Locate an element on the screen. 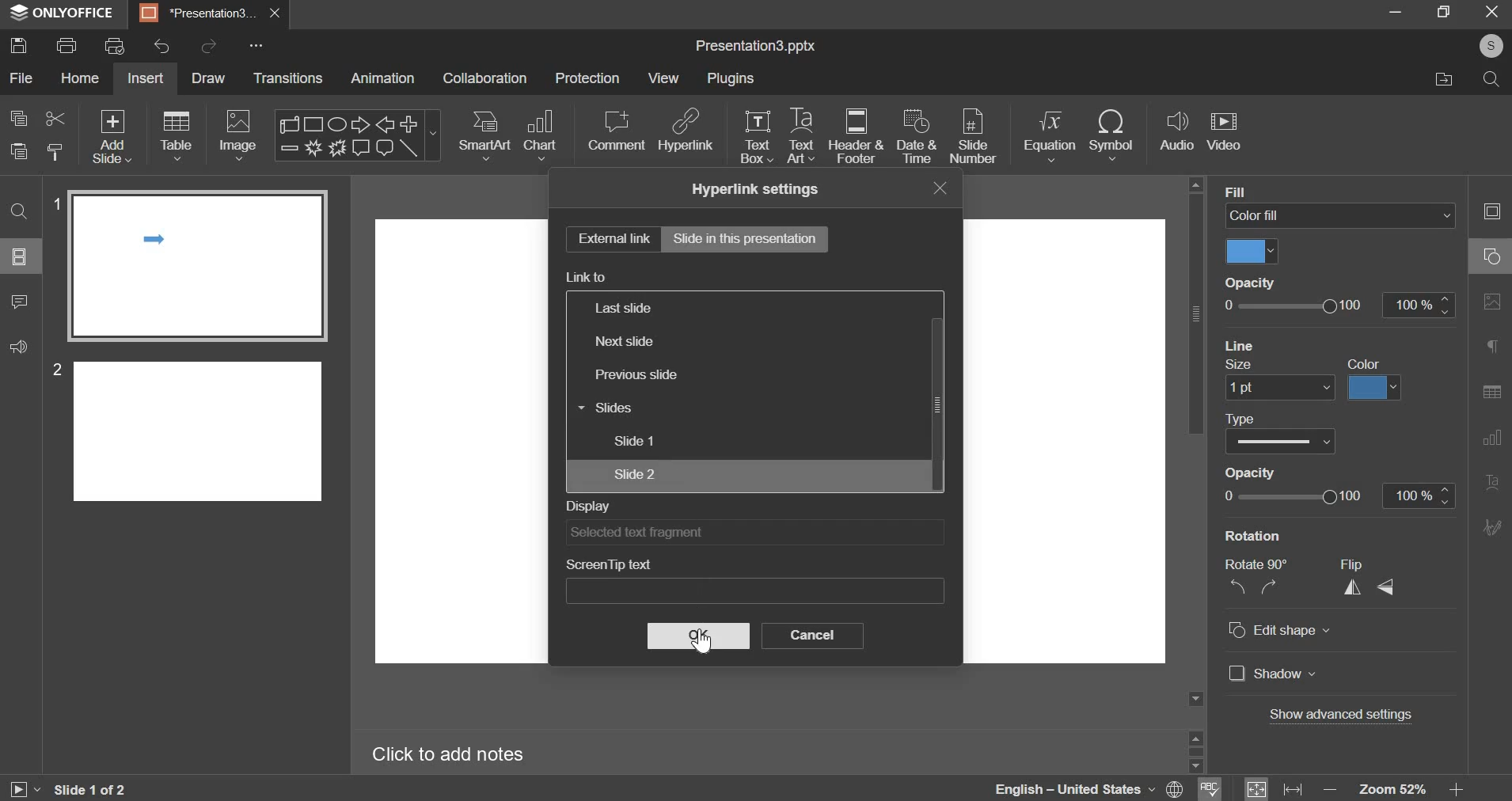  plus is located at coordinates (409, 123).